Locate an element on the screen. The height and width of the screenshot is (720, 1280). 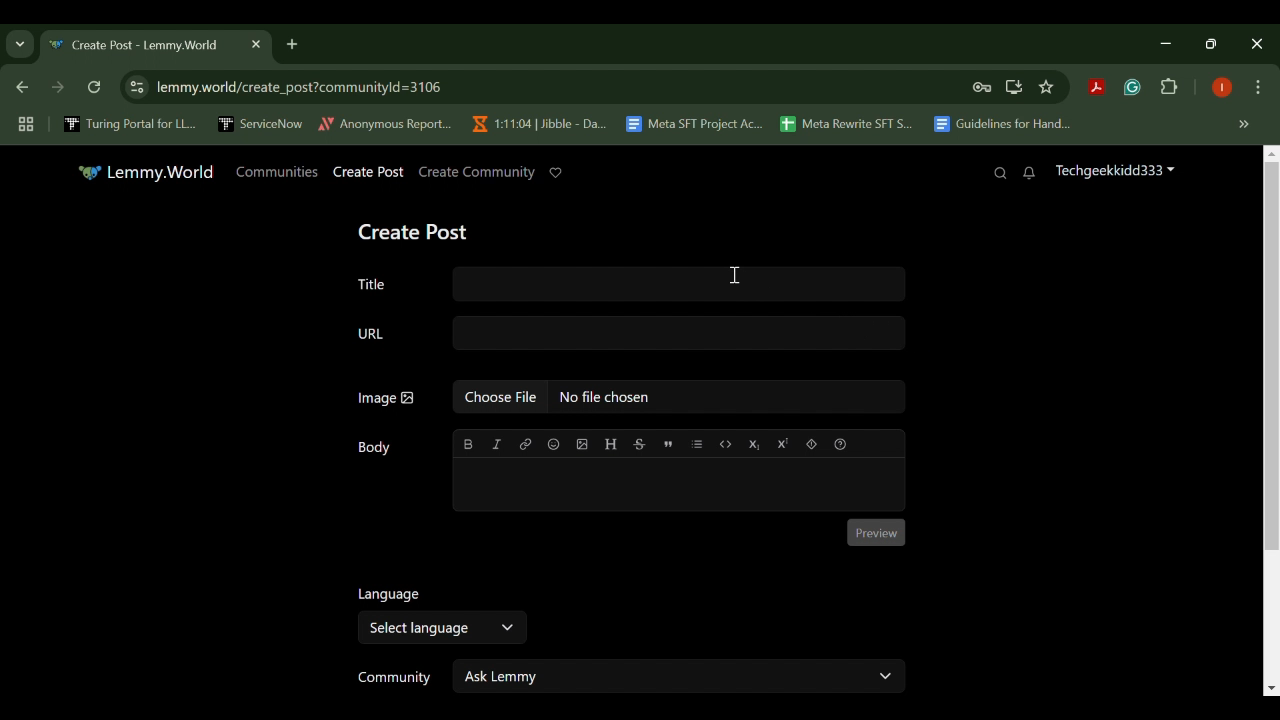
Image: No file chosen is located at coordinates (630, 400).